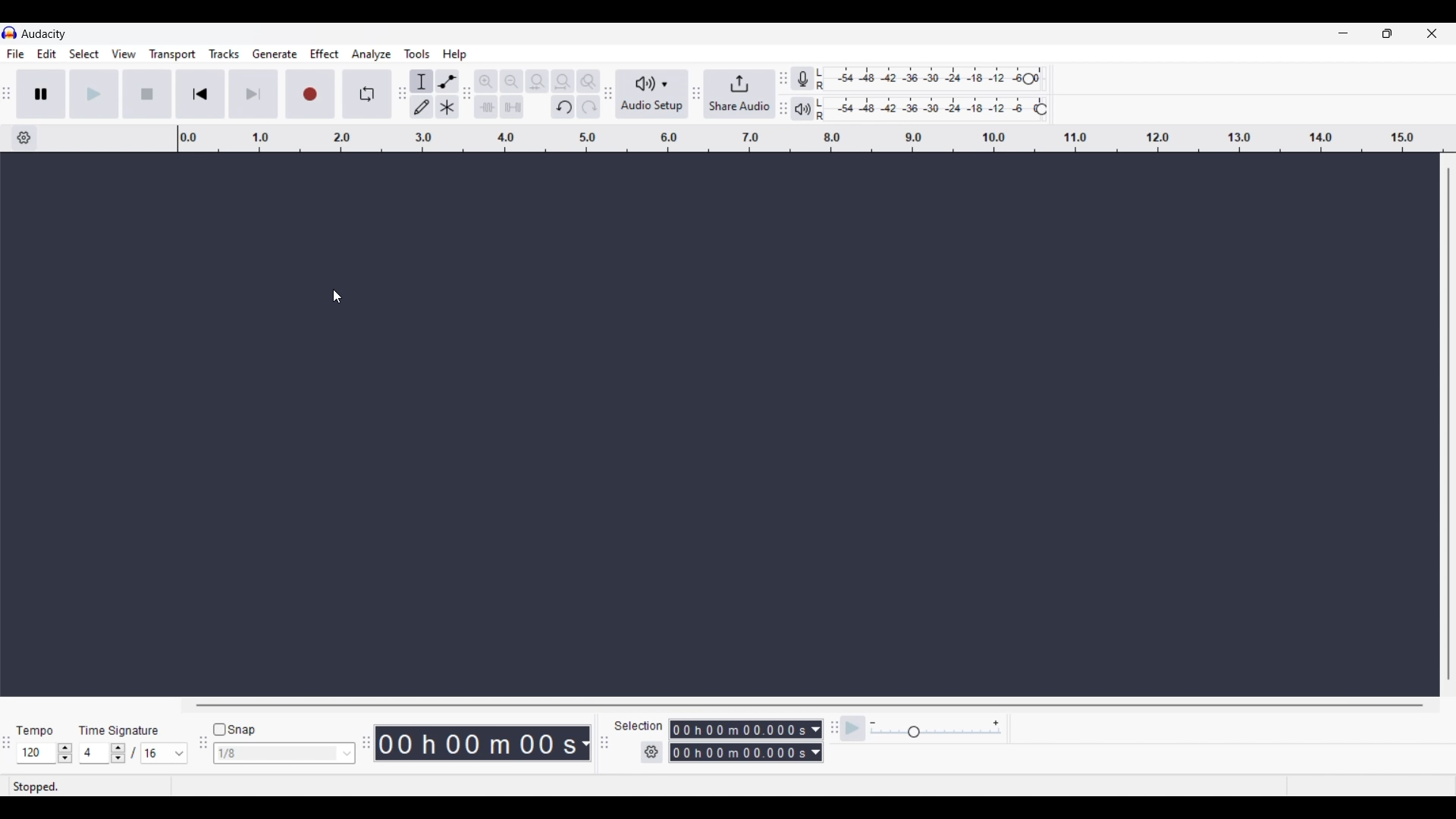 The image size is (1456, 819). I want to click on Playback level, so click(936, 109).